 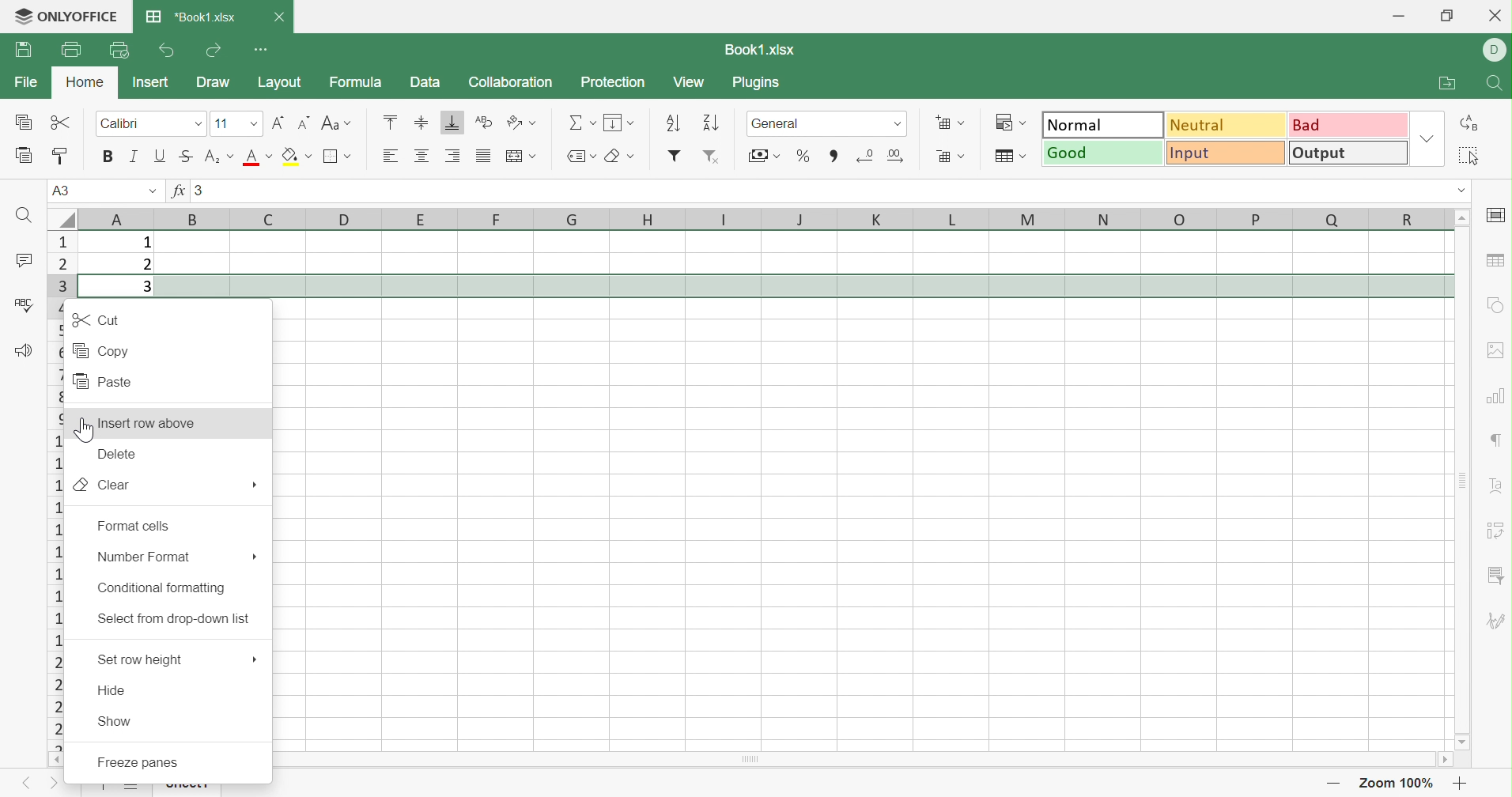 What do you see at coordinates (512, 81) in the screenshot?
I see `Collaboration` at bounding box center [512, 81].